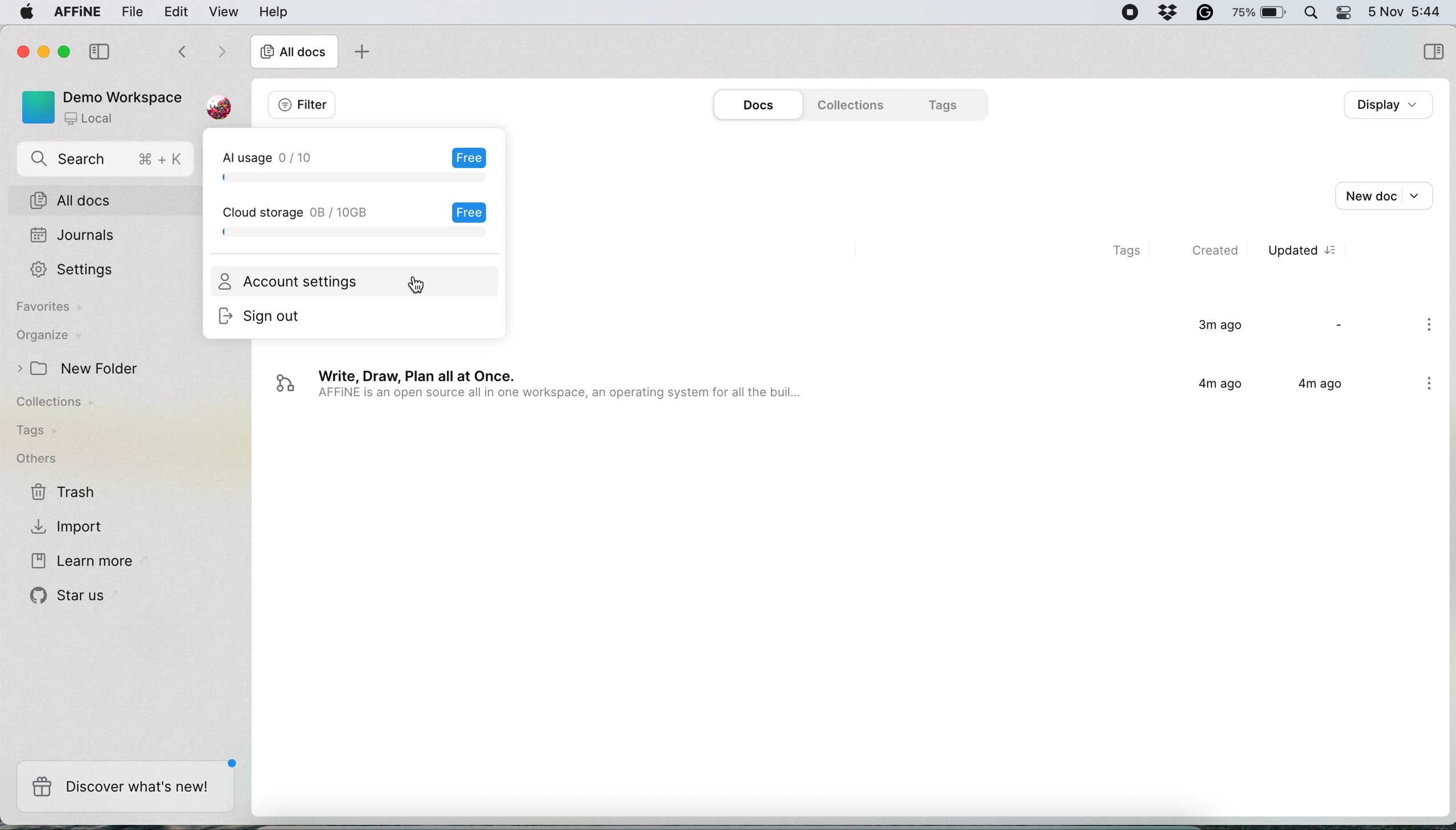 The image size is (1456, 830). Describe the element at coordinates (945, 104) in the screenshot. I see `tags` at that location.